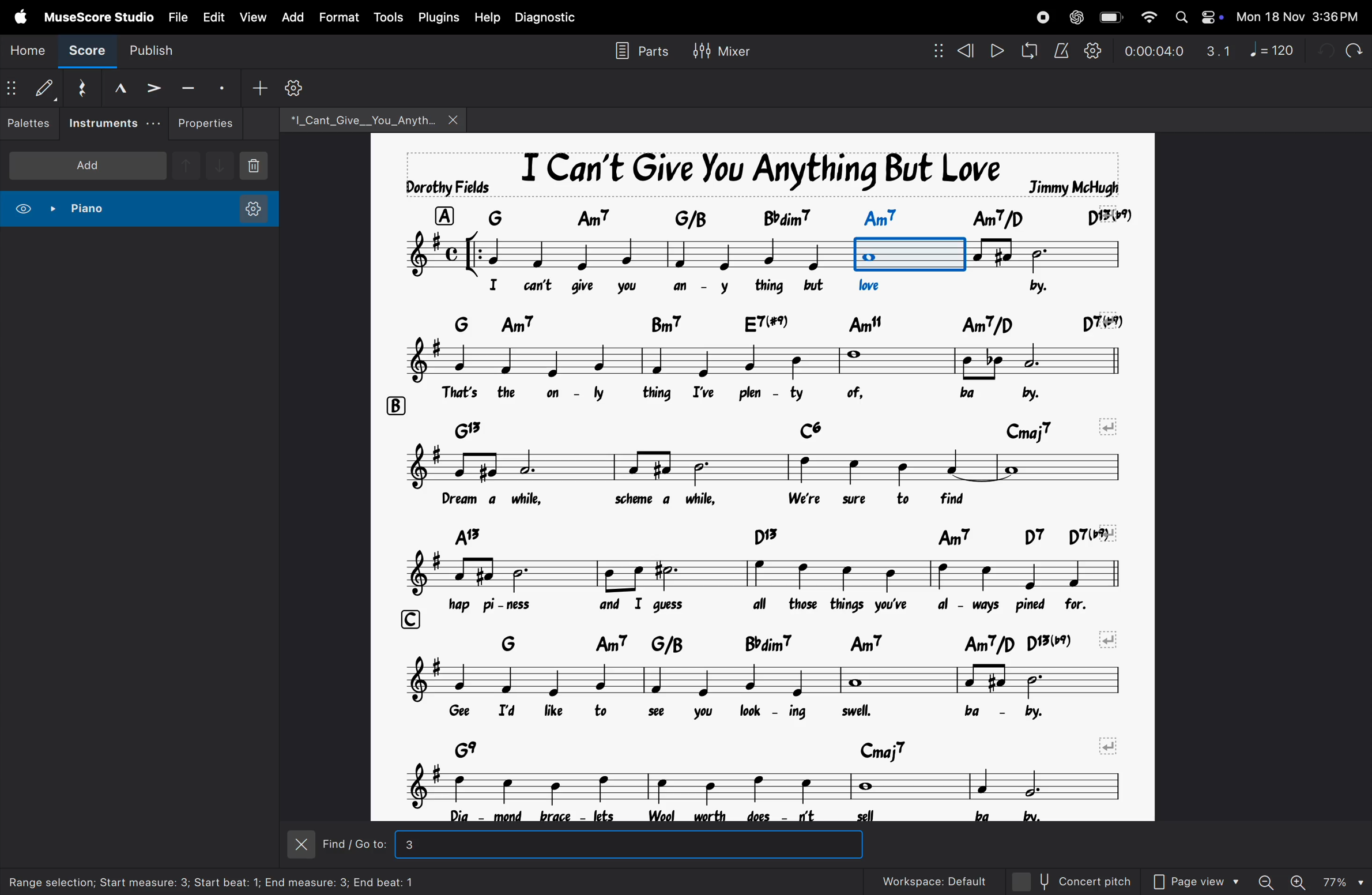 This screenshot has height=895, width=1372. Describe the element at coordinates (257, 167) in the screenshot. I see `delete` at that location.